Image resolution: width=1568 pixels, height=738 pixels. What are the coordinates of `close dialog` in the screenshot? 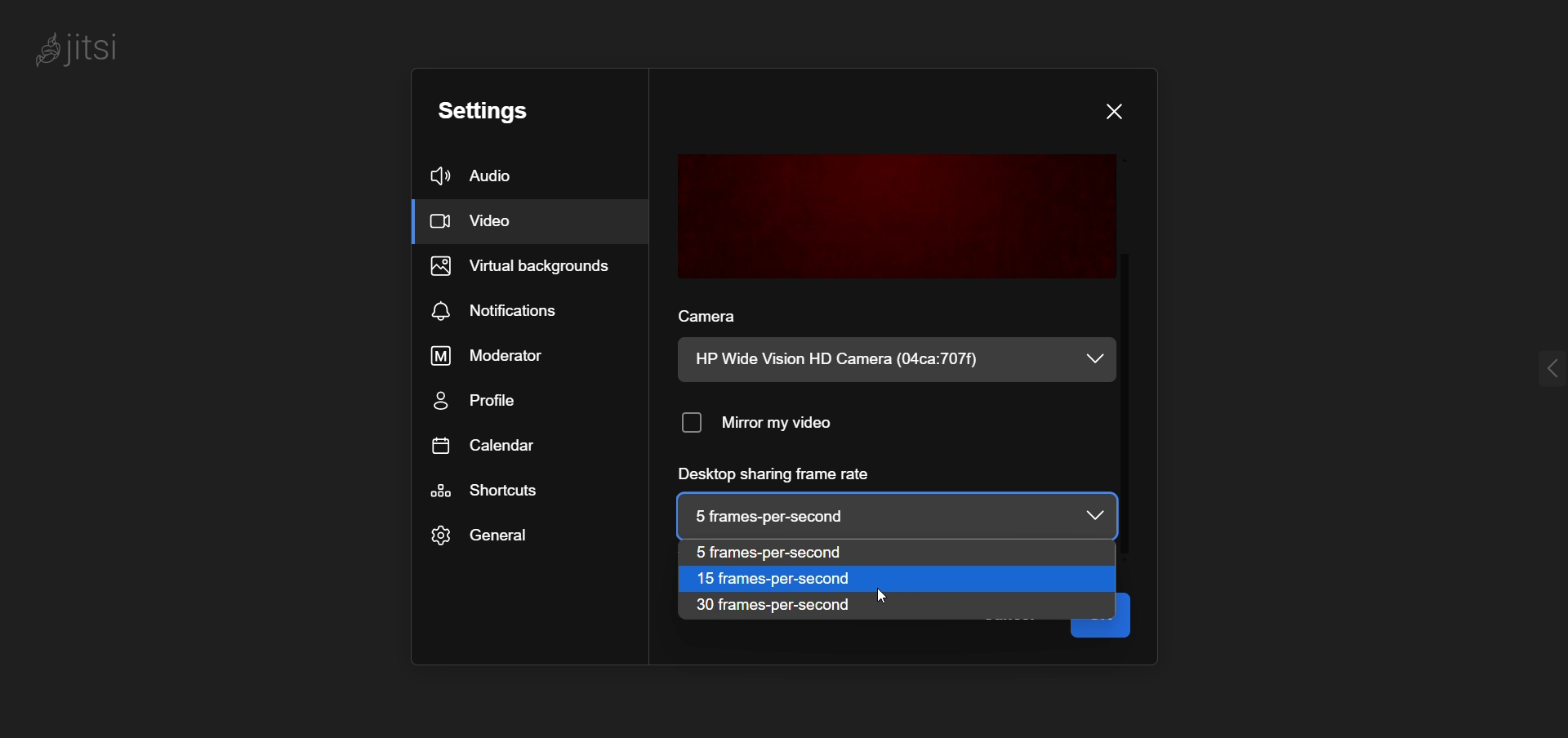 It's located at (1118, 111).